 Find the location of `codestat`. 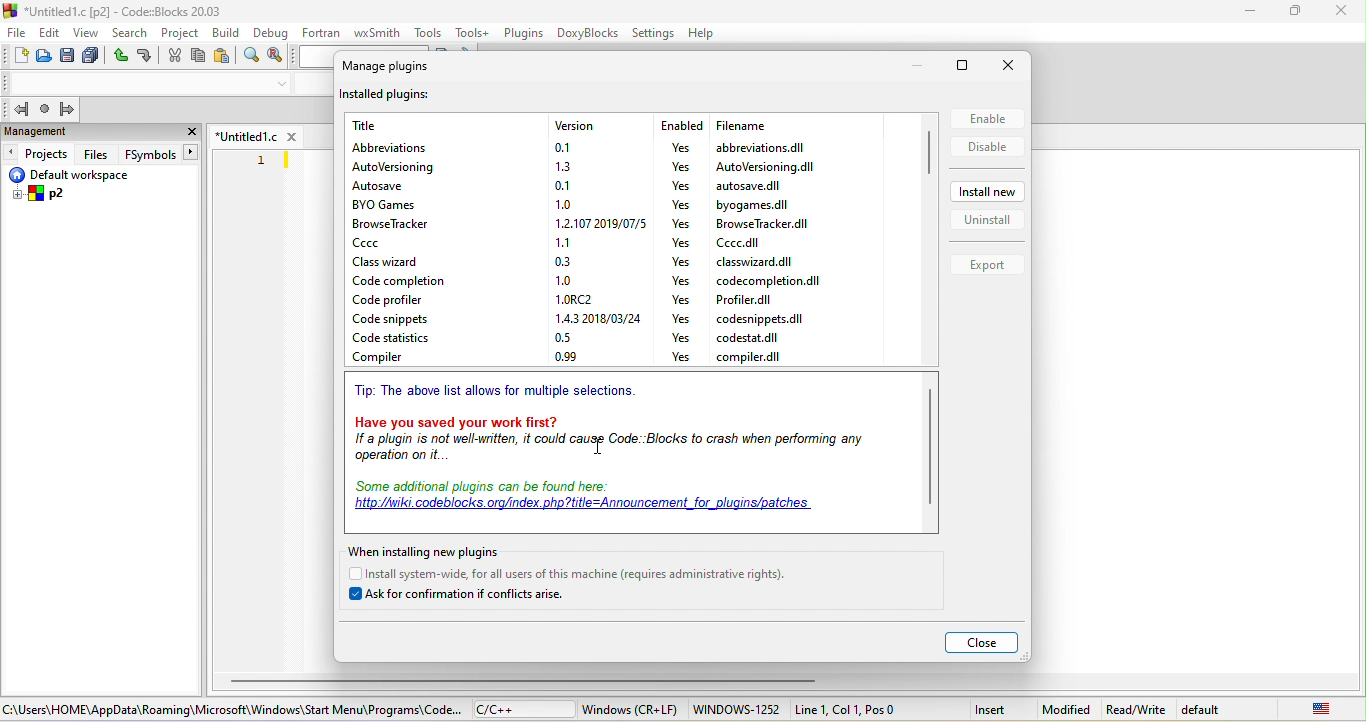

codestat is located at coordinates (748, 338).